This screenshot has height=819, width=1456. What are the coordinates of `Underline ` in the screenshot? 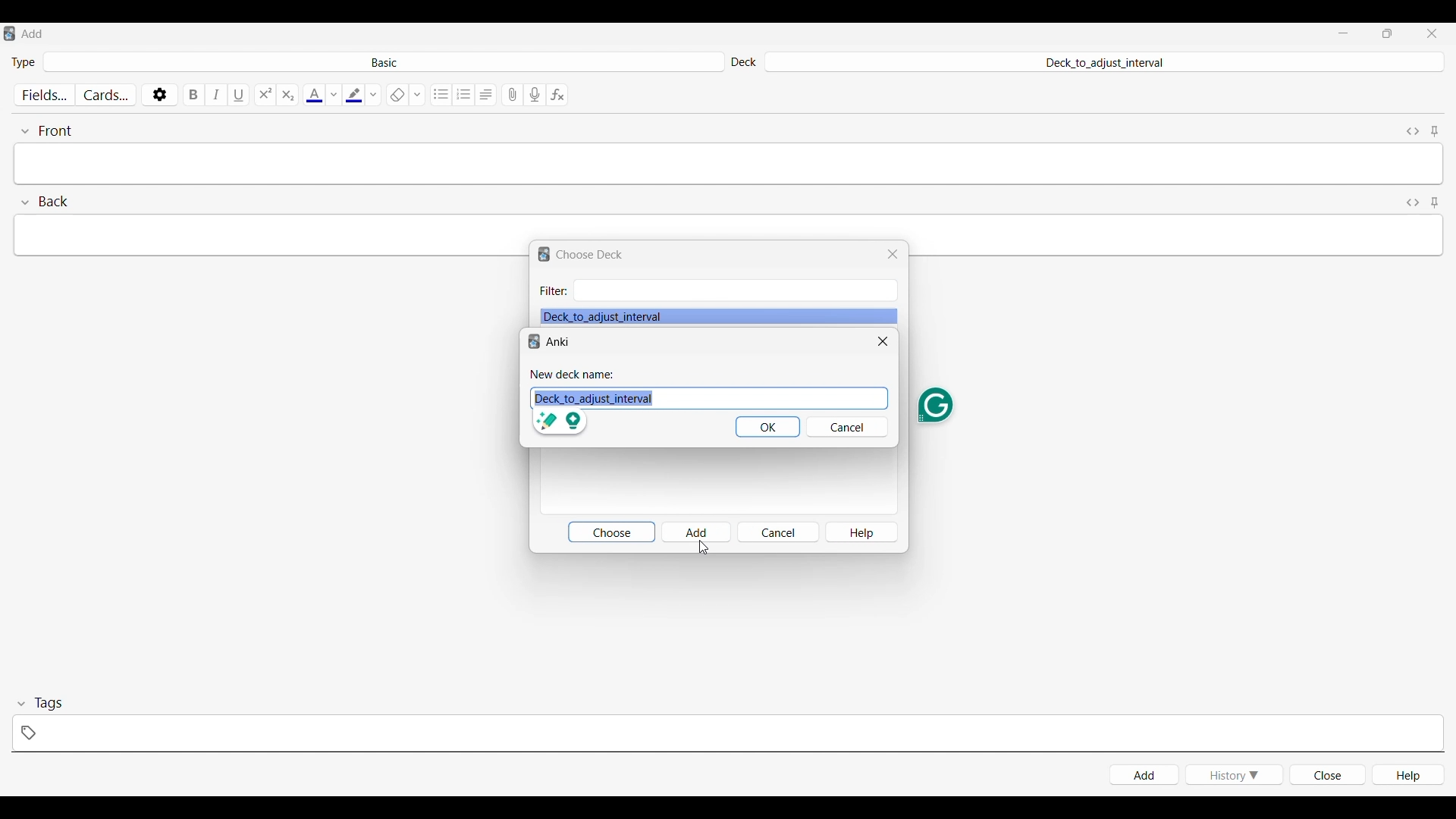 It's located at (240, 94).